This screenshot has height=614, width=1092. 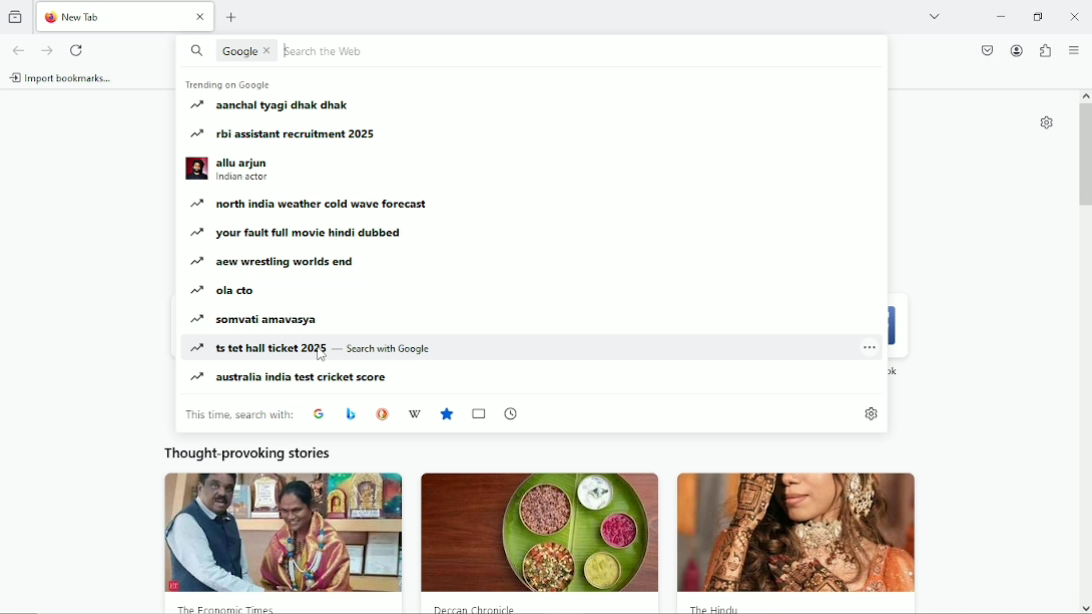 What do you see at coordinates (1016, 50) in the screenshot?
I see `account` at bounding box center [1016, 50].